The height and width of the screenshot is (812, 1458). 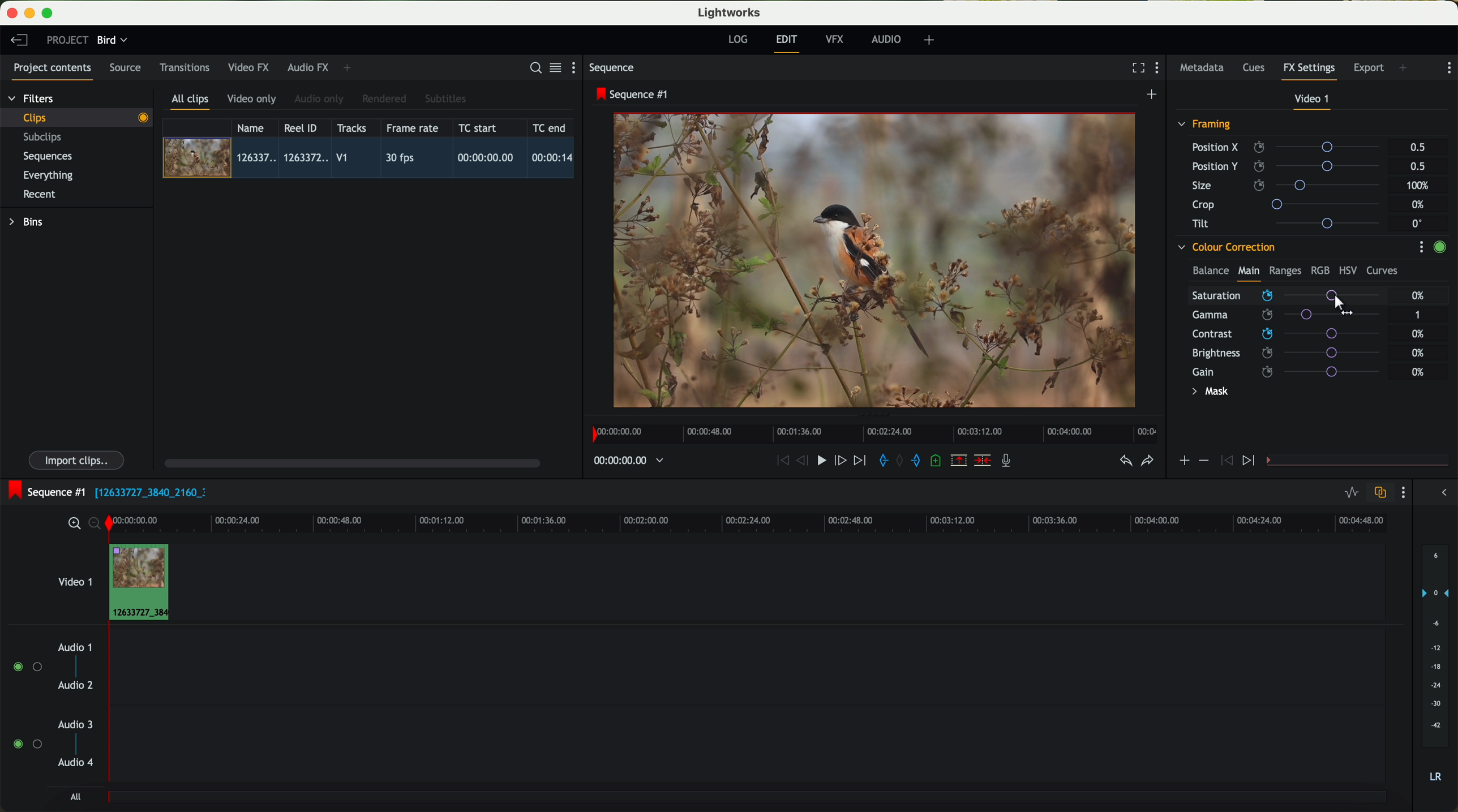 I want to click on audio 2, so click(x=76, y=686).